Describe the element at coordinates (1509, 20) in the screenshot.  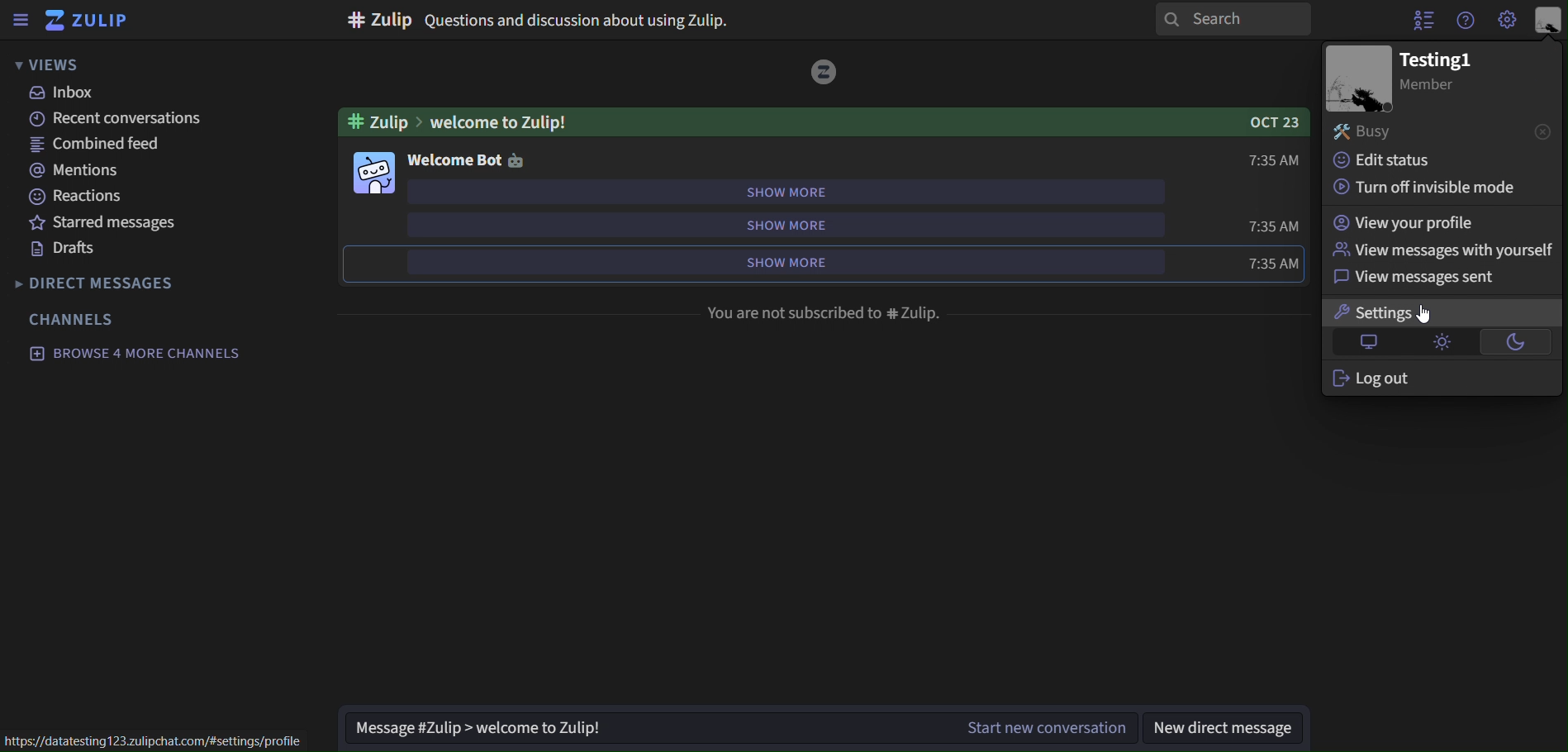
I see `Settings` at that location.